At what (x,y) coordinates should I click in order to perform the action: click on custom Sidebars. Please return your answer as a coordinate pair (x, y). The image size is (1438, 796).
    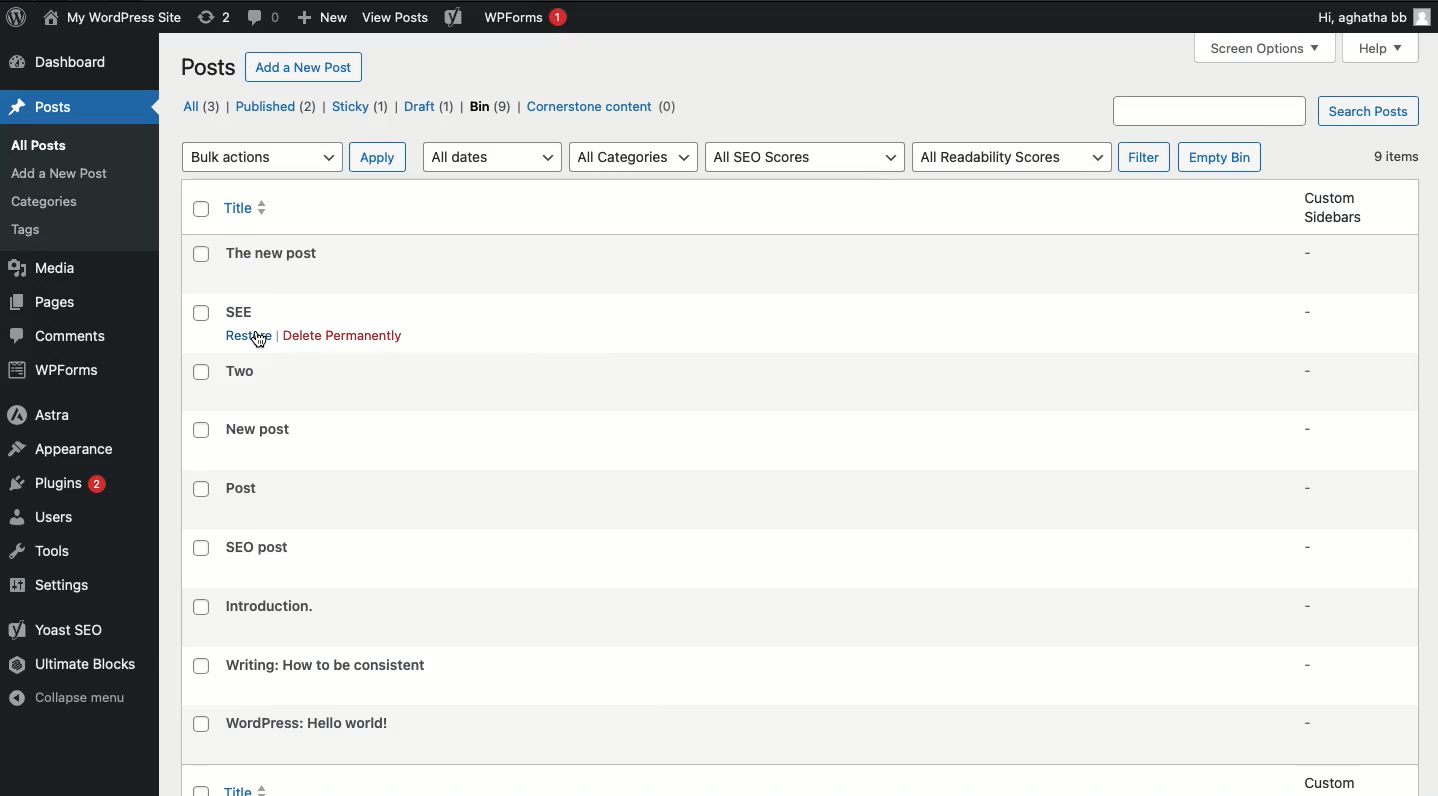
    Looking at the image, I should click on (1335, 207).